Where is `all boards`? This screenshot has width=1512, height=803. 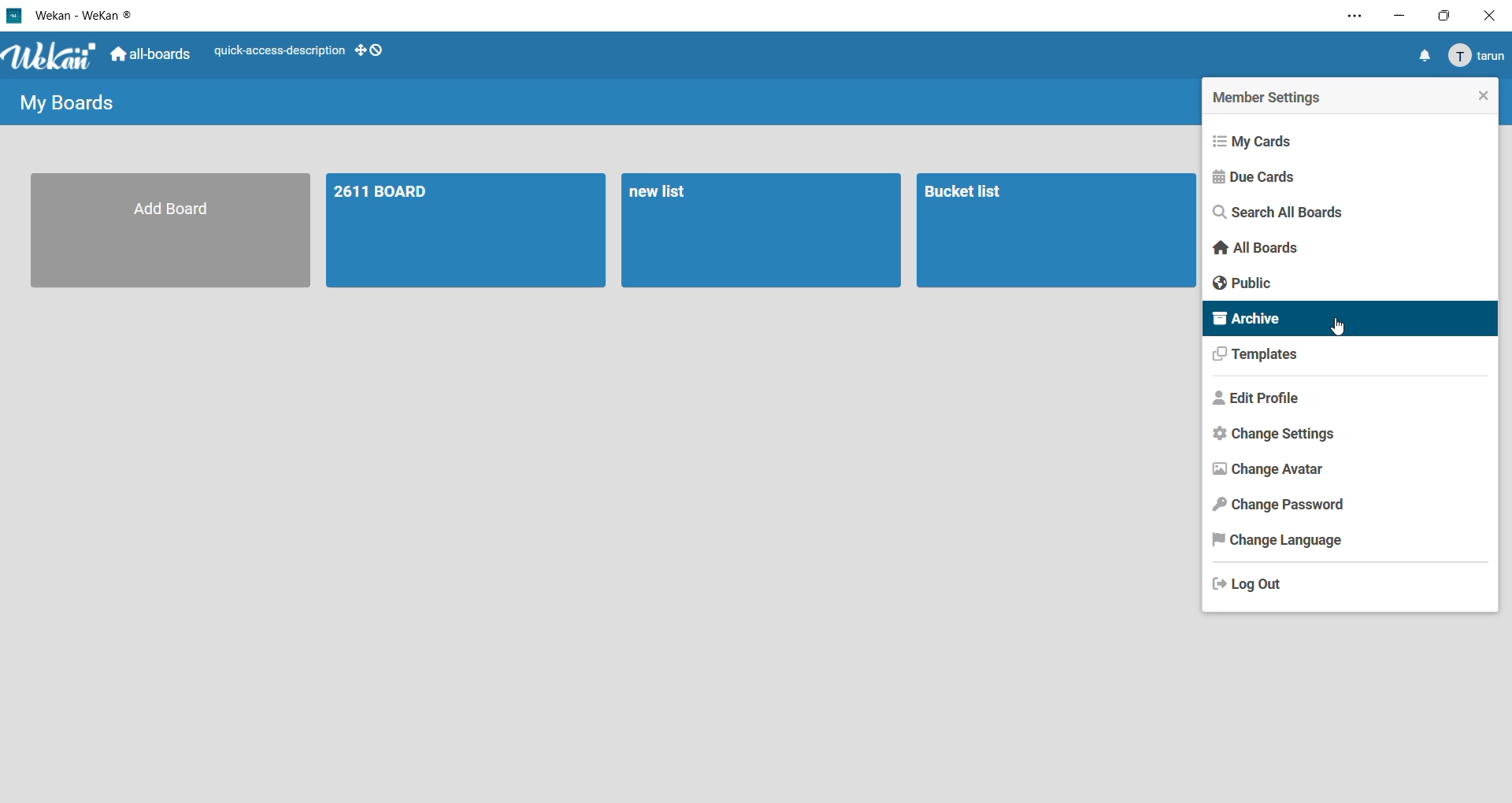
all boards is located at coordinates (1253, 246).